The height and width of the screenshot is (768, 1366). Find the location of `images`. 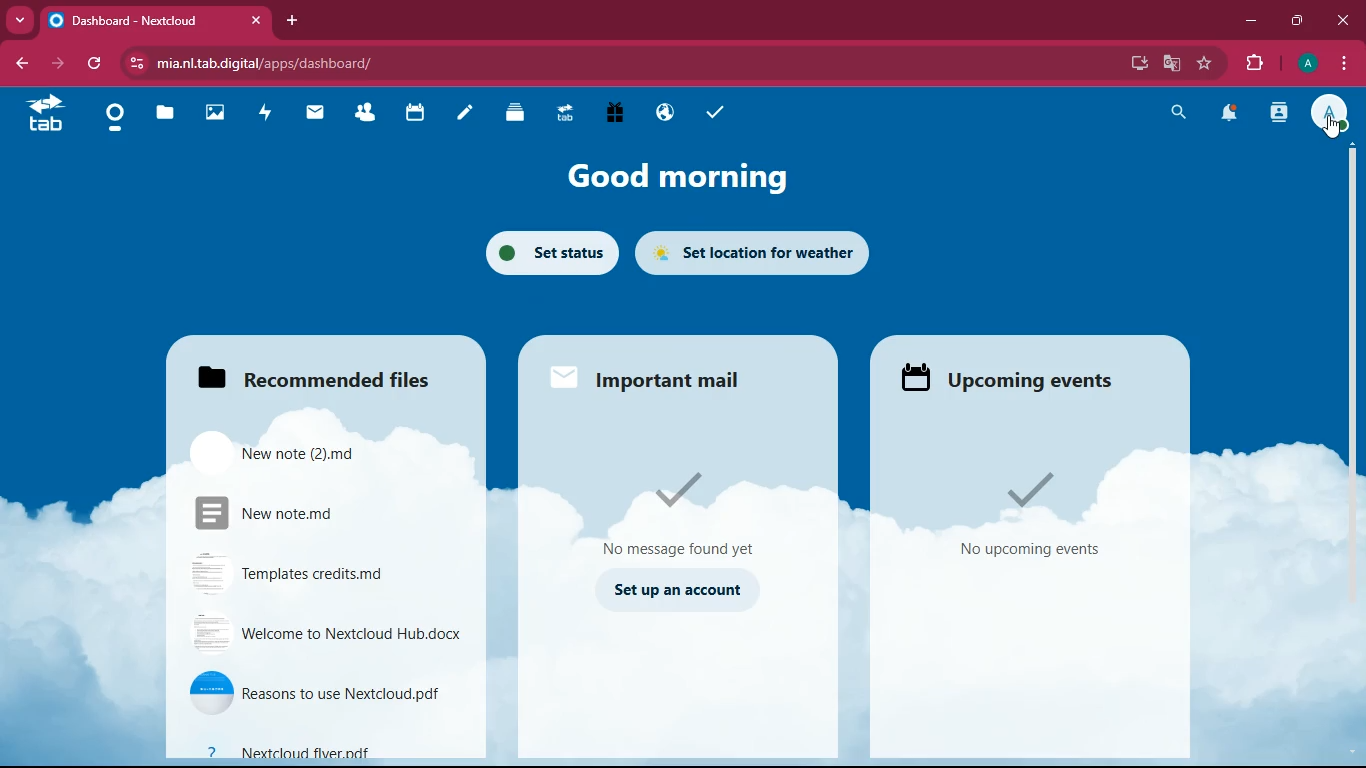

images is located at coordinates (213, 111).